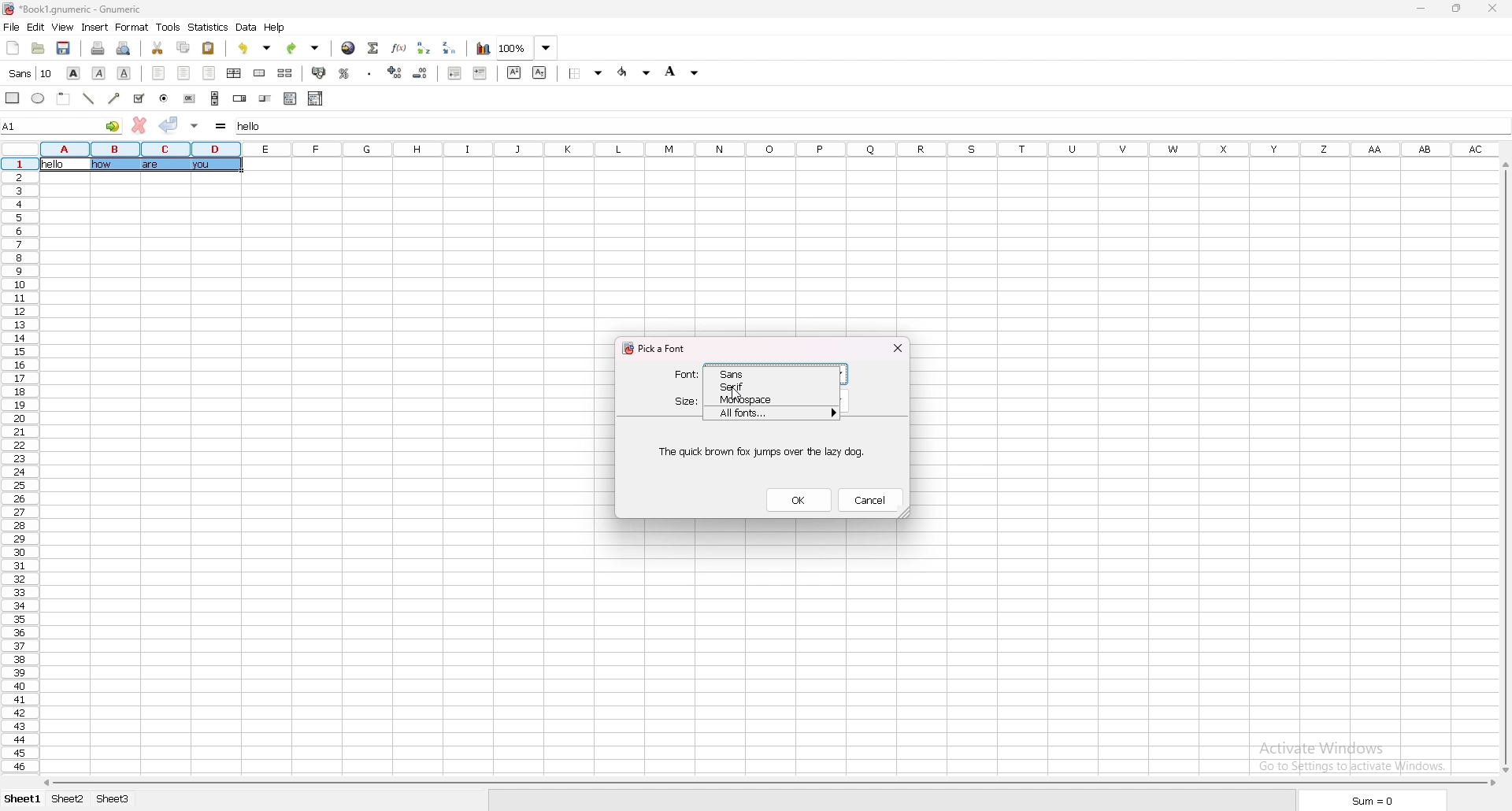  I want to click on all fonts, so click(773, 413).